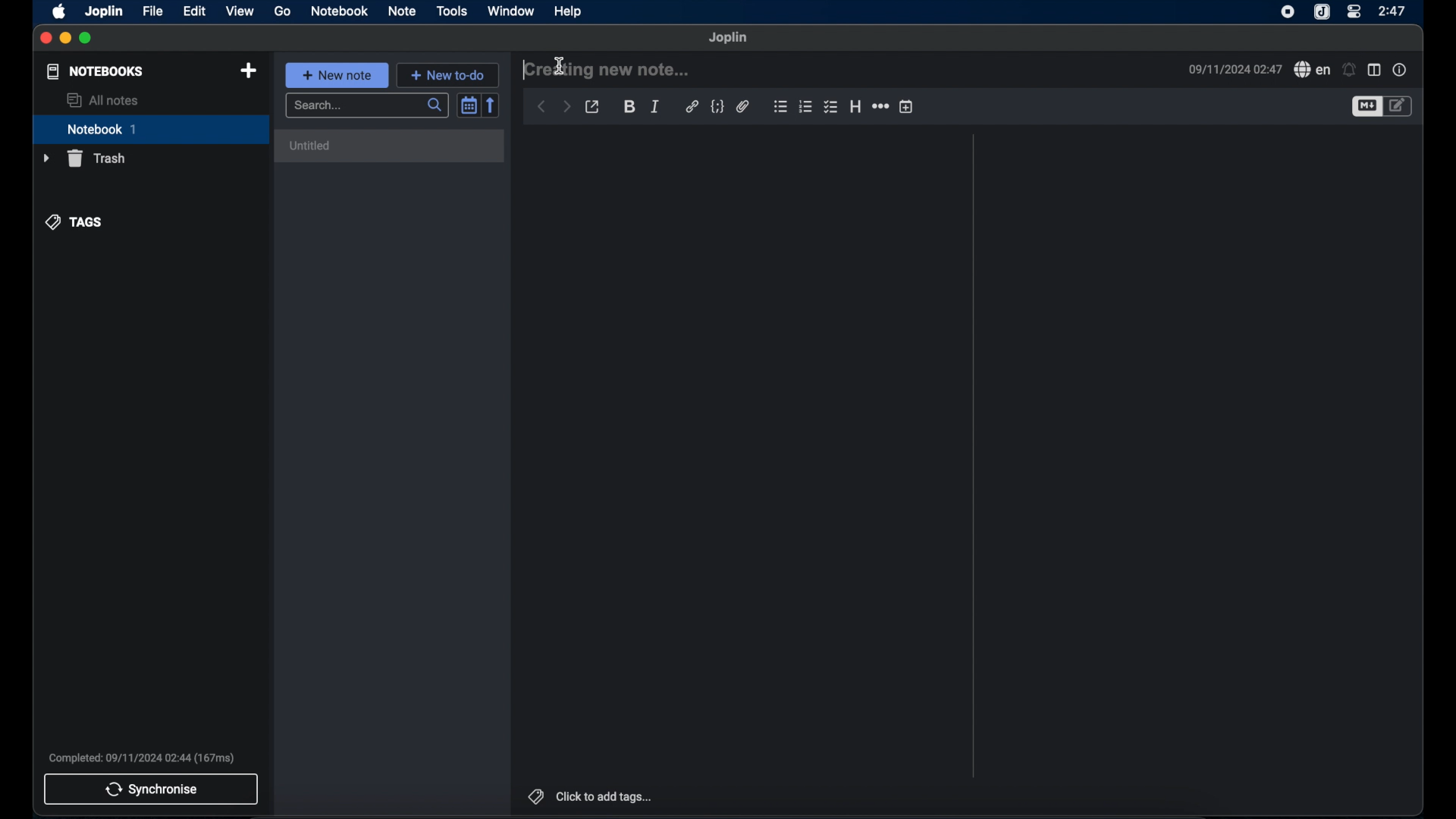 The height and width of the screenshot is (819, 1456). I want to click on forward, so click(566, 107).